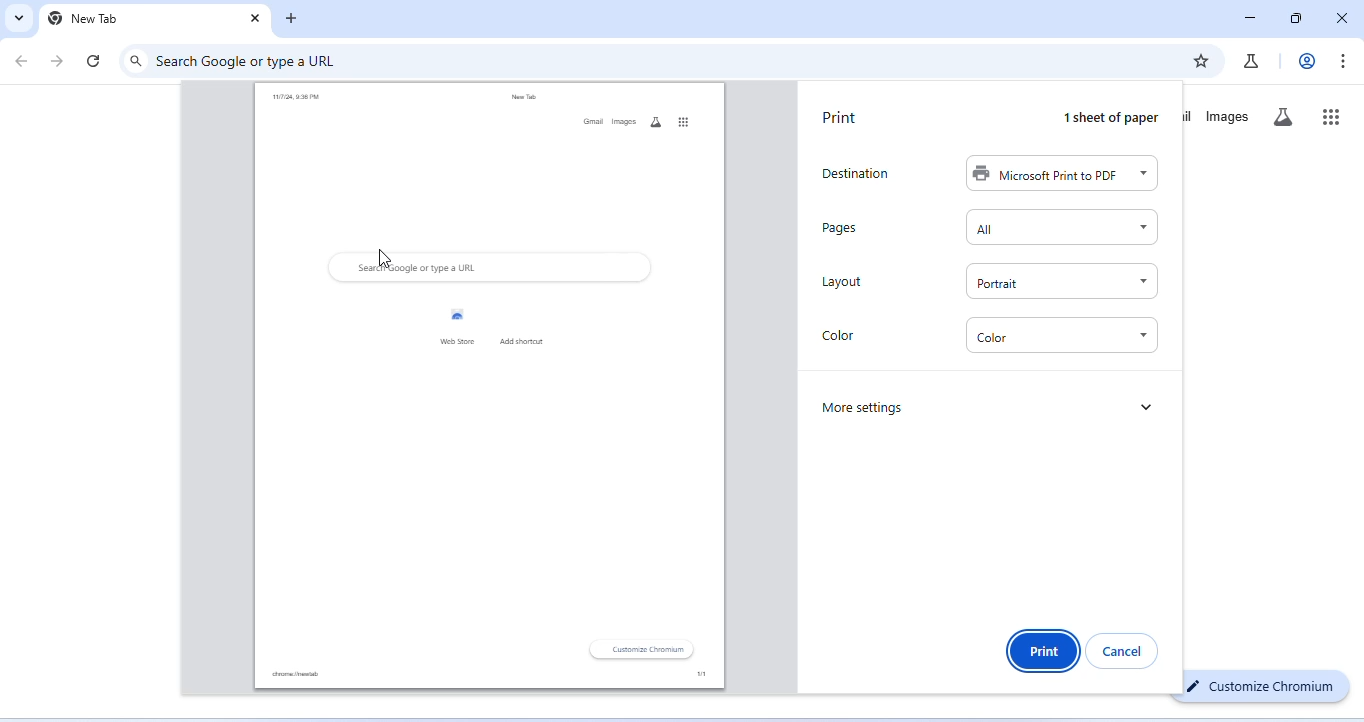 The height and width of the screenshot is (722, 1364). I want to click on customize and control chromium, so click(1345, 61).